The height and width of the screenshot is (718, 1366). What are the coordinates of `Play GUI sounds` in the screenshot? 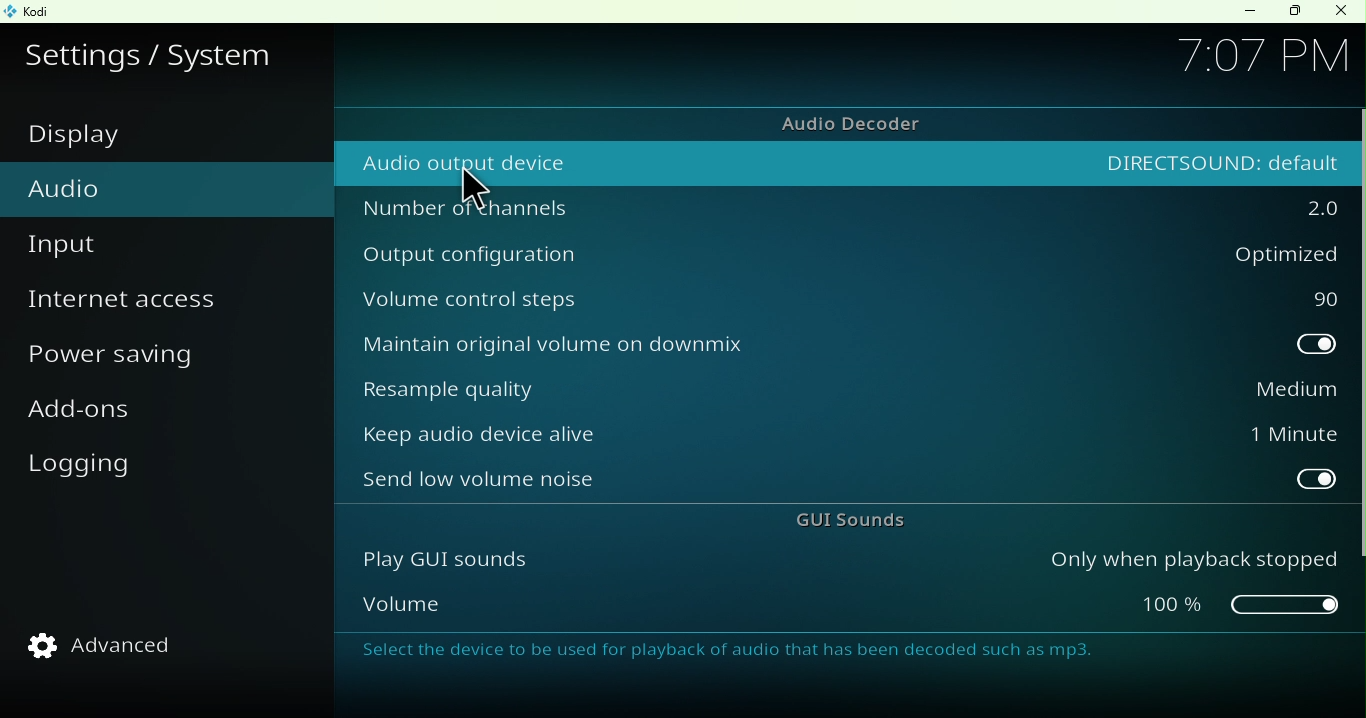 It's located at (694, 563).